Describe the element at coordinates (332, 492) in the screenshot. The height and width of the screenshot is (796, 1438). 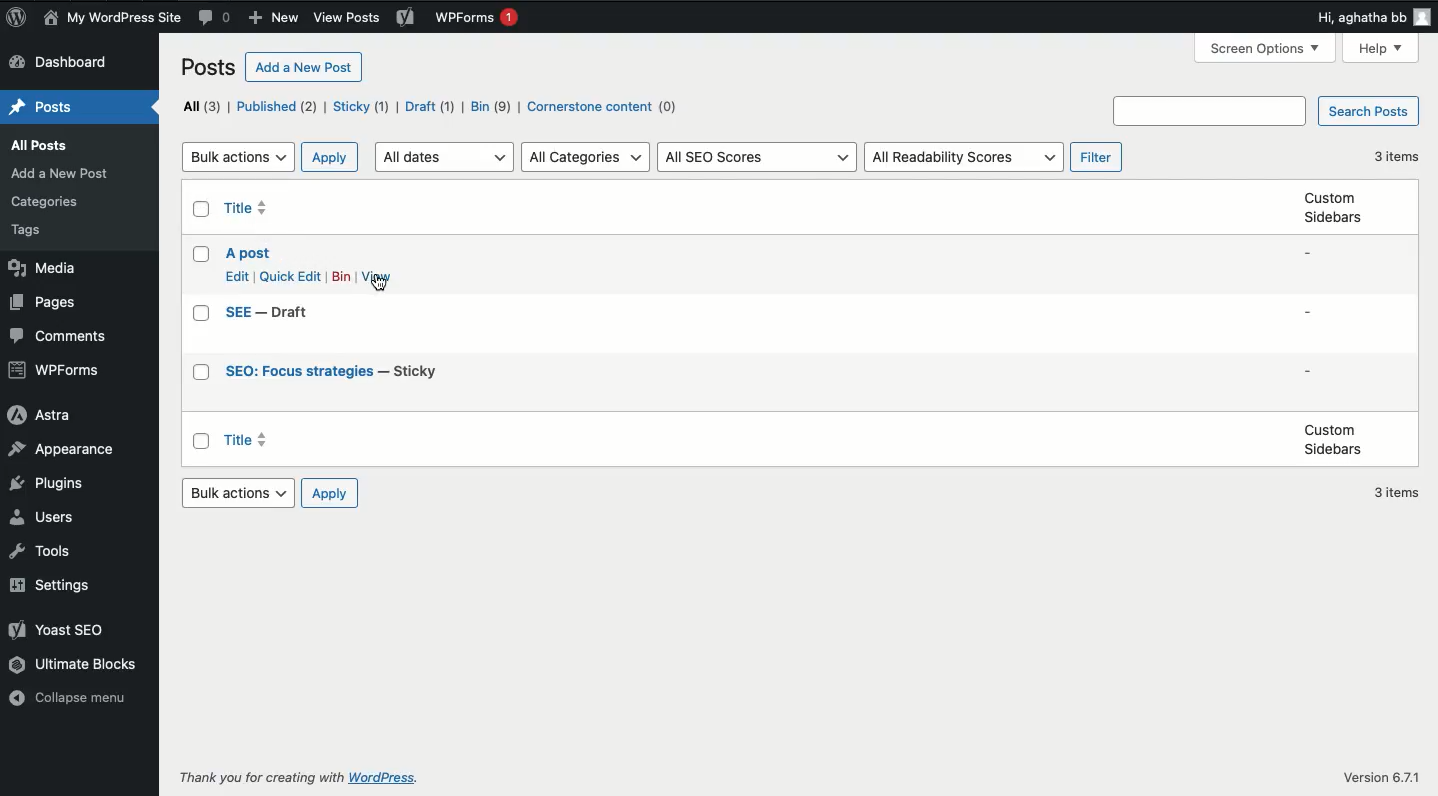
I see `Apply` at that location.